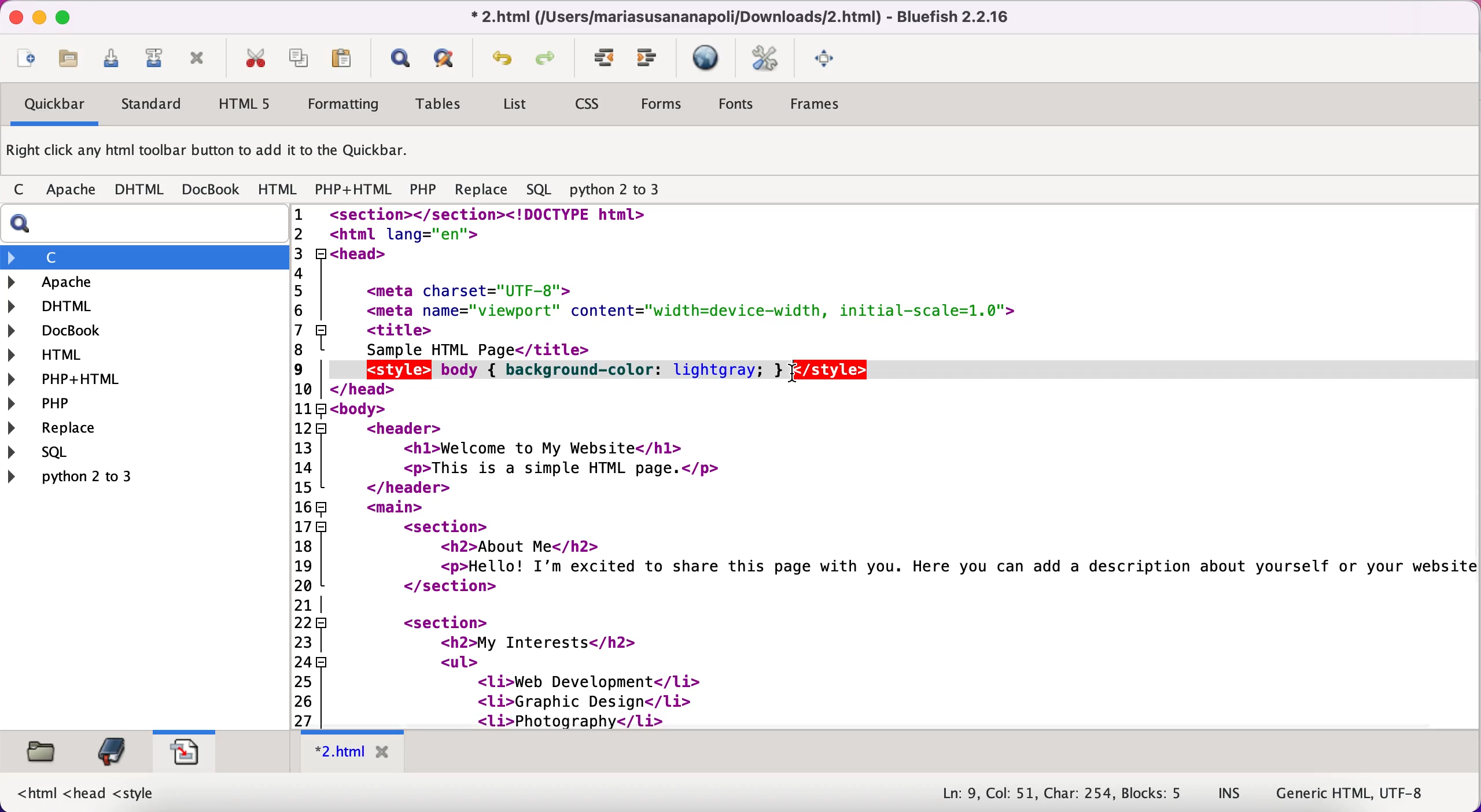  Describe the element at coordinates (73, 192) in the screenshot. I see `apache` at that location.